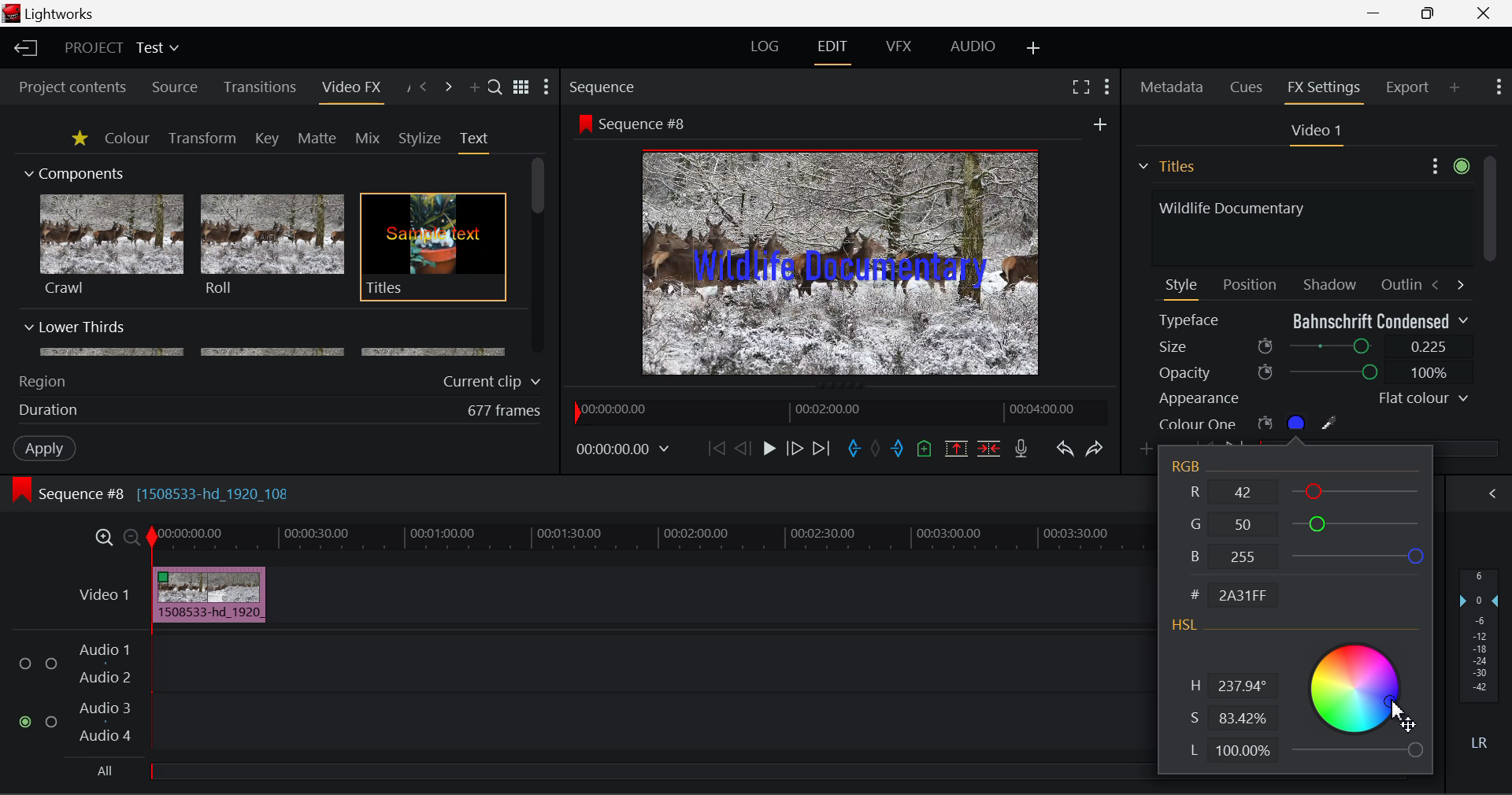 The height and width of the screenshot is (795, 1512). What do you see at coordinates (1081, 86) in the screenshot?
I see `Full Screen` at bounding box center [1081, 86].